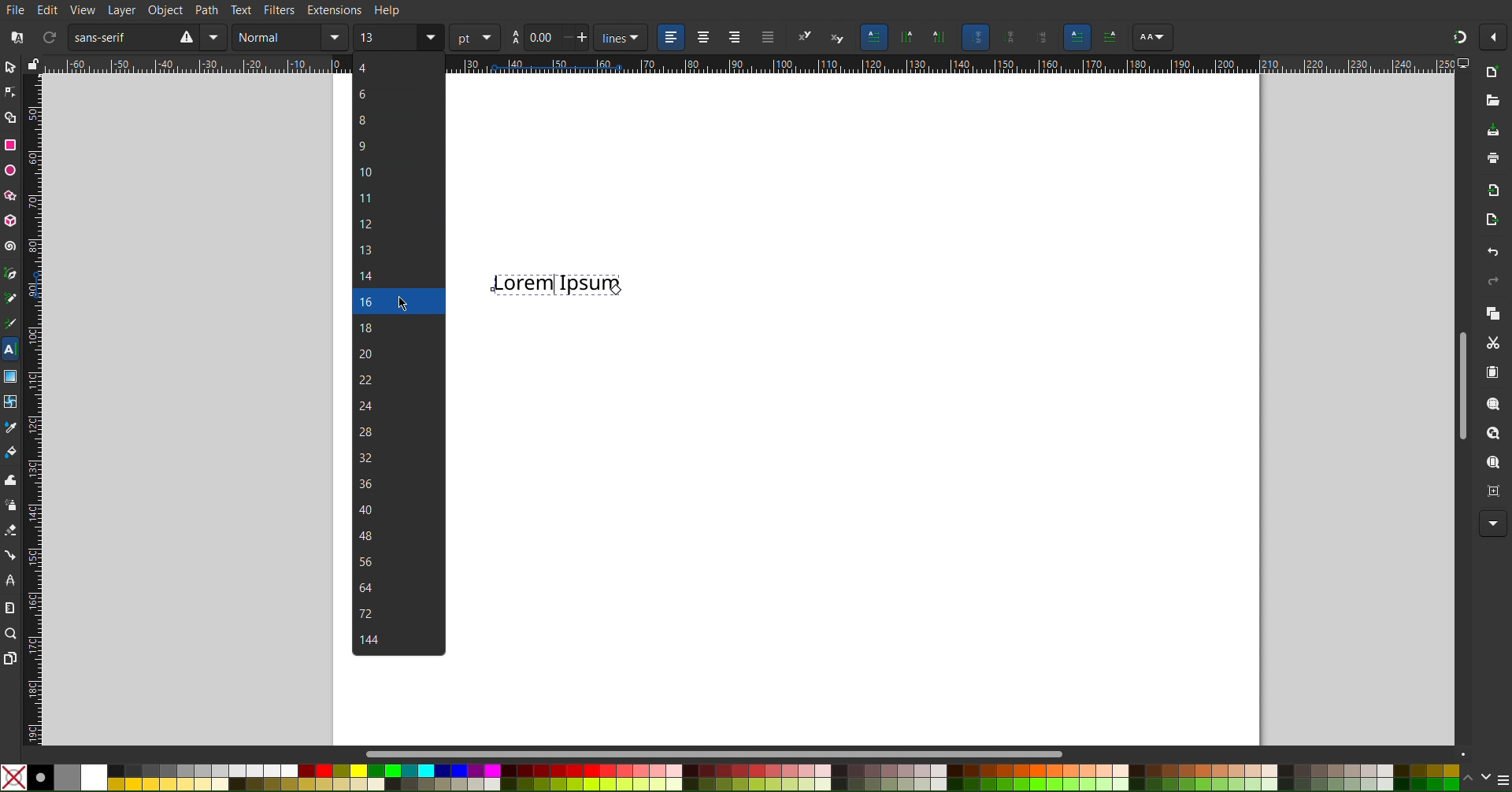 The image size is (1512, 792). What do you see at coordinates (1493, 403) in the screenshot?
I see `Zoom Selection` at bounding box center [1493, 403].